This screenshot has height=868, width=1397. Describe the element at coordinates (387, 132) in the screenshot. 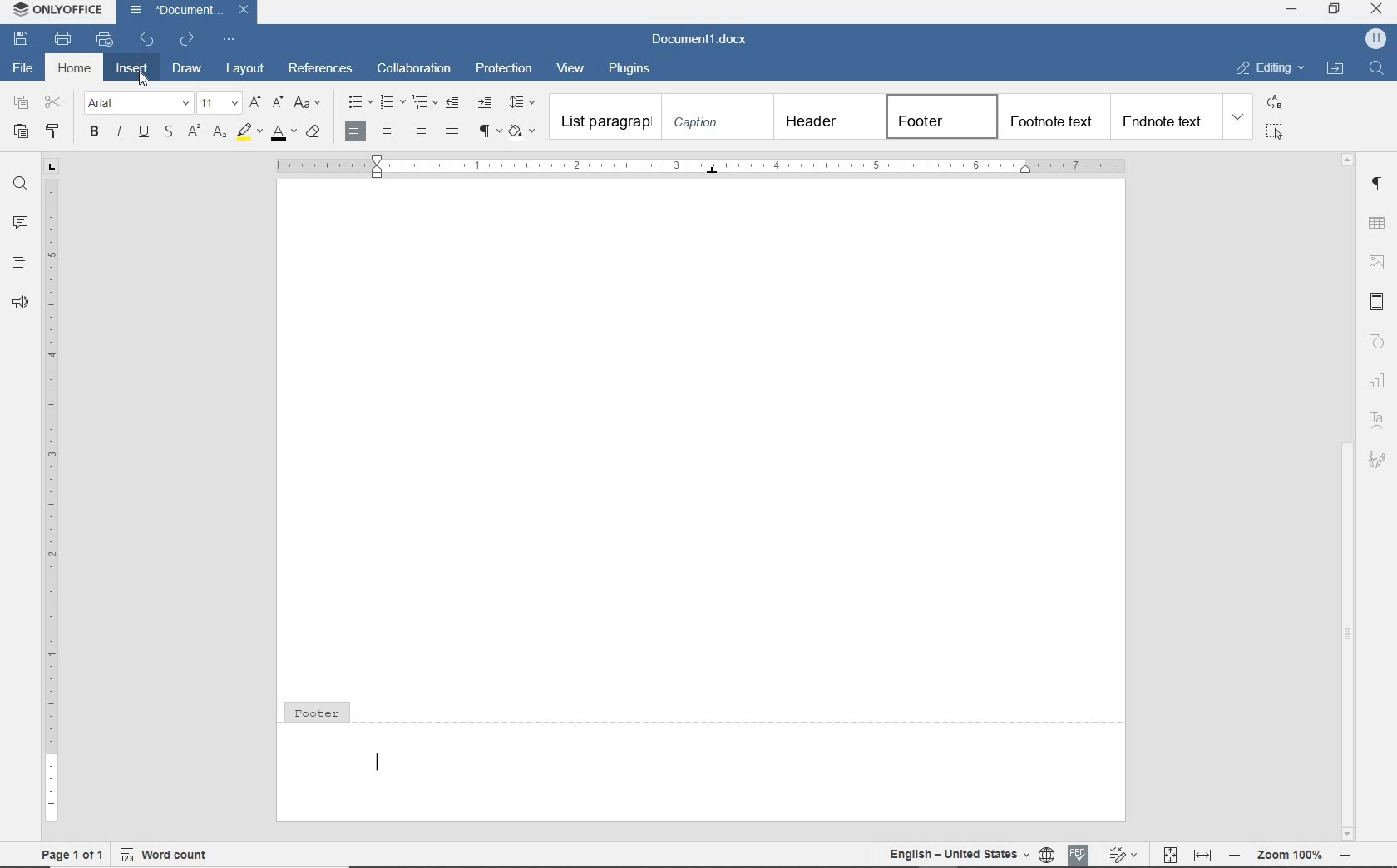

I see `ALIGN CENTER` at that location.